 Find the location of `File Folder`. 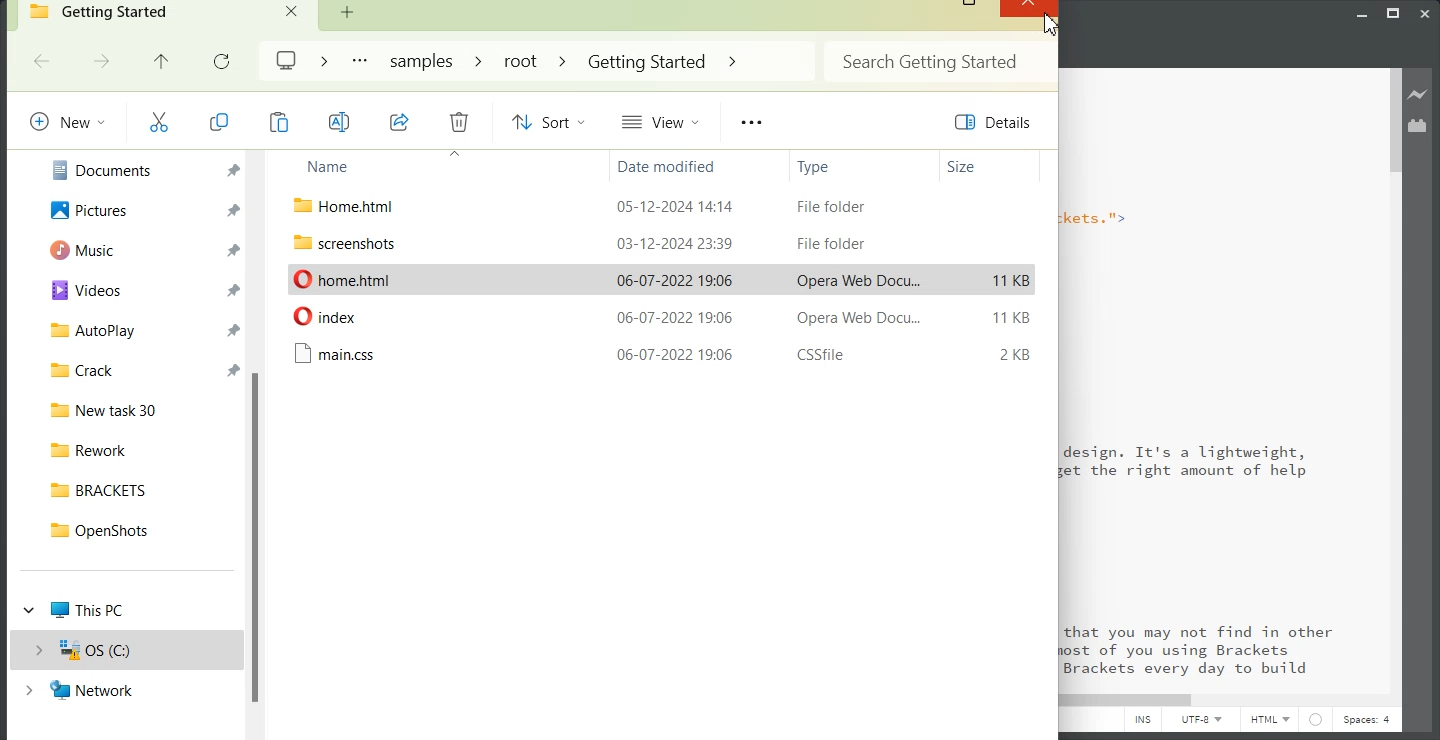

File Folder is located at coordinates (825, 354).